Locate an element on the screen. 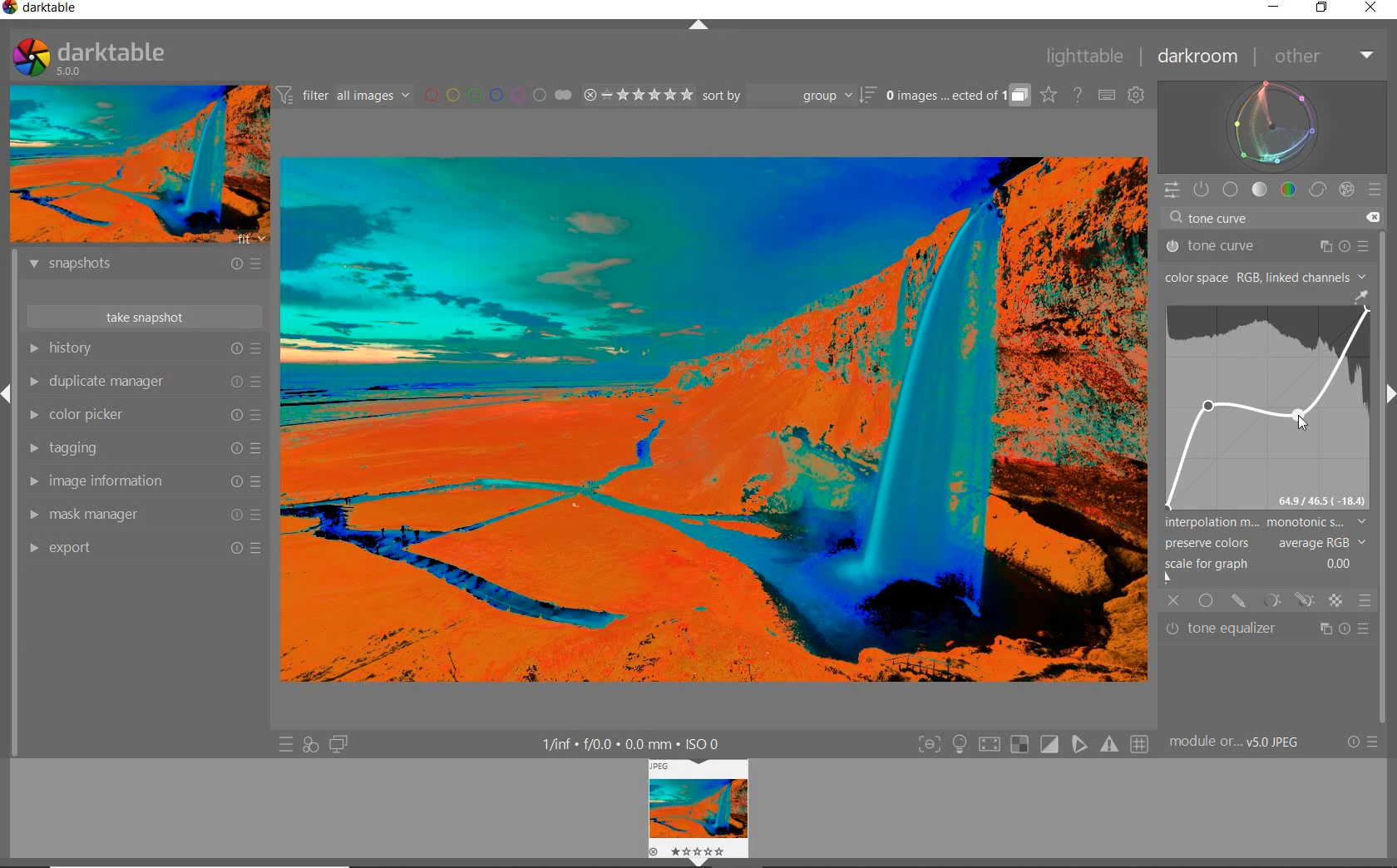 Image resolution: width=1397 pixels, height=868 pixels. image information is located at coordinates (143, 481).